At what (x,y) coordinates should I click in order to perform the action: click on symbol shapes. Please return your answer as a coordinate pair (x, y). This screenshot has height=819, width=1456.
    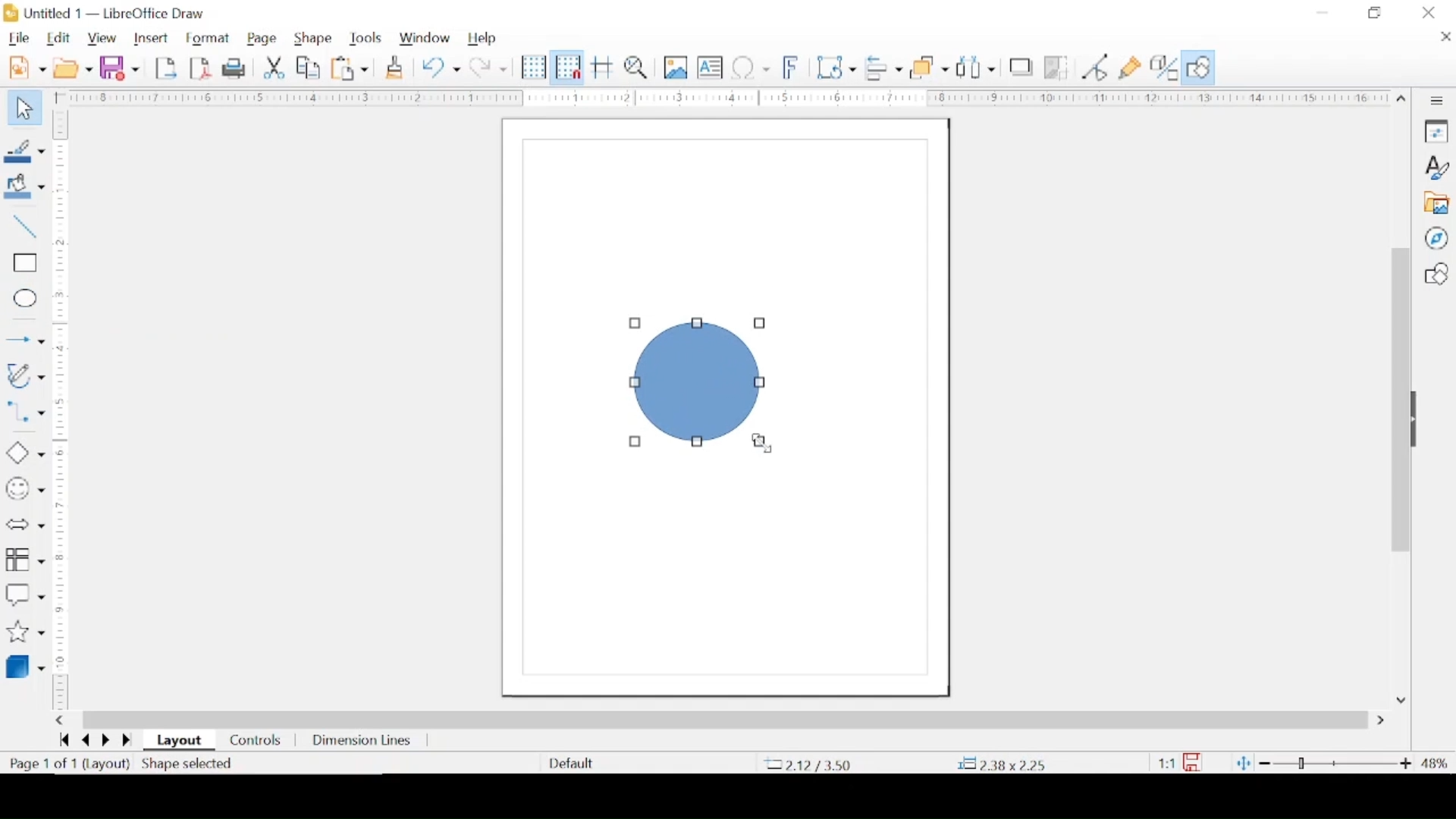
    Looking at the image, I should click on (25, 489).